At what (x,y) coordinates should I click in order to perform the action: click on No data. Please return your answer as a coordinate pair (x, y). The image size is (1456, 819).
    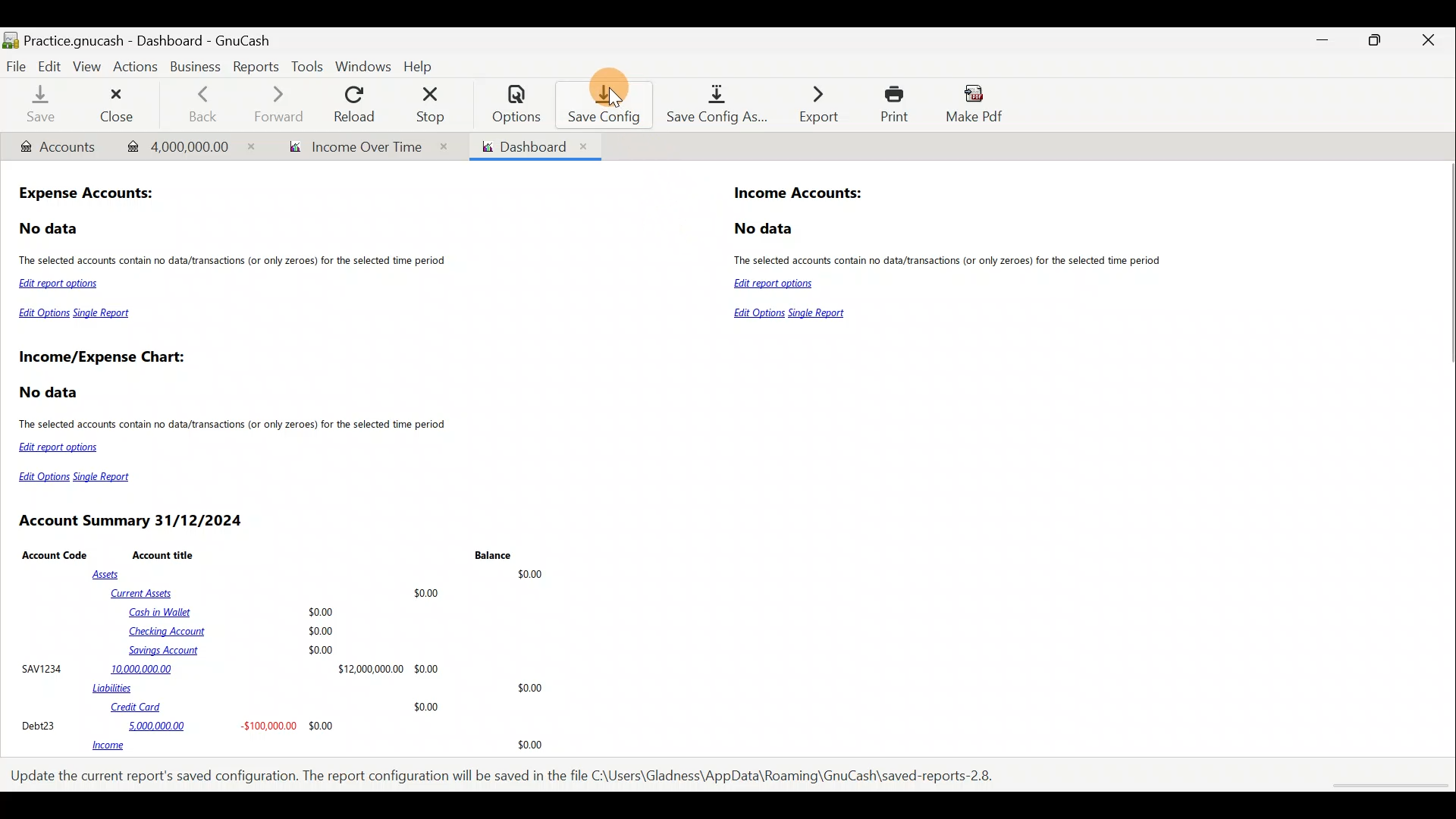
    Looking at the image, I should click on (51, 393).